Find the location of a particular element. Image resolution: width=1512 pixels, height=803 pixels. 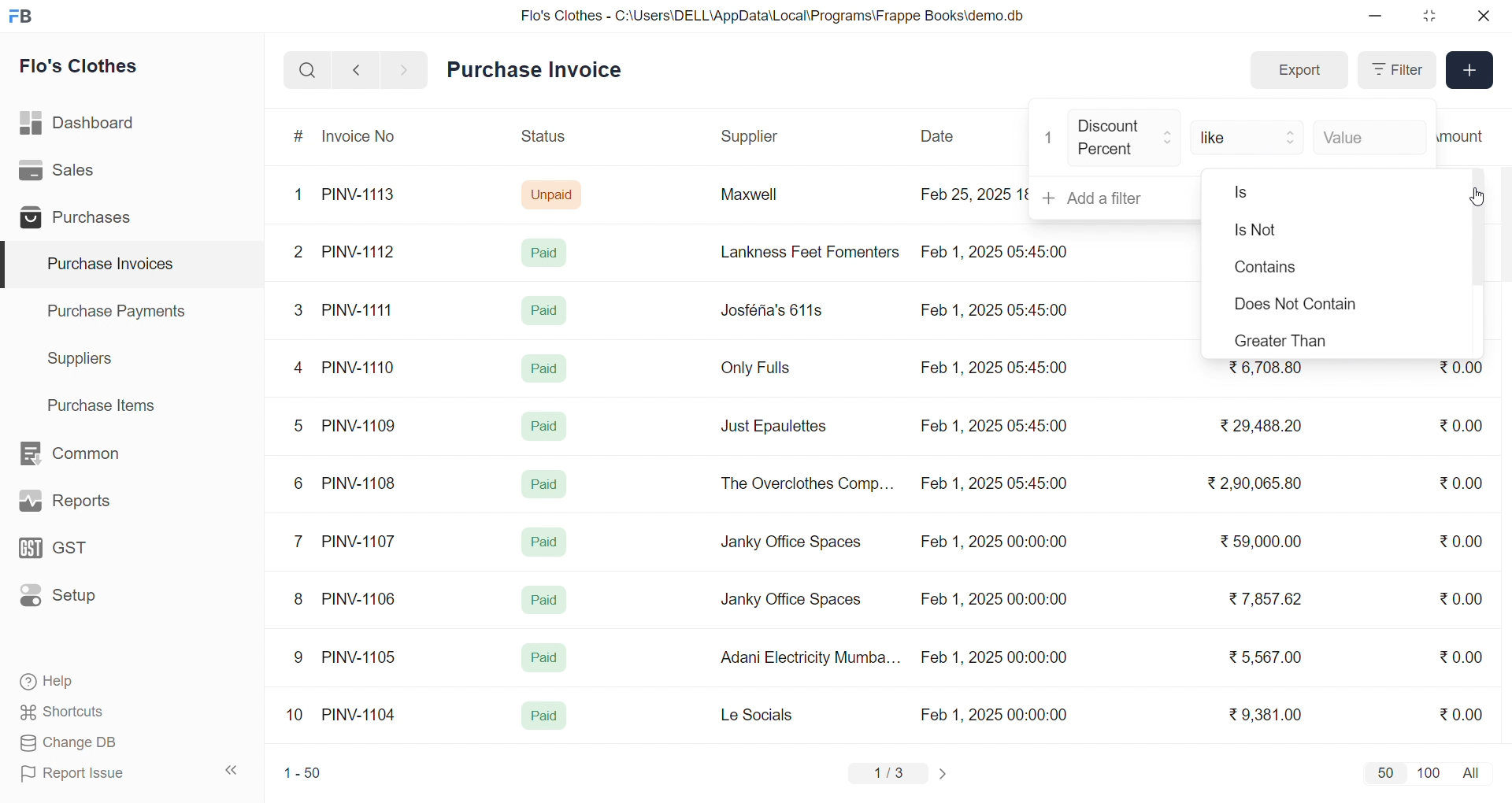

cursor is located at coordinates (1473, 195).